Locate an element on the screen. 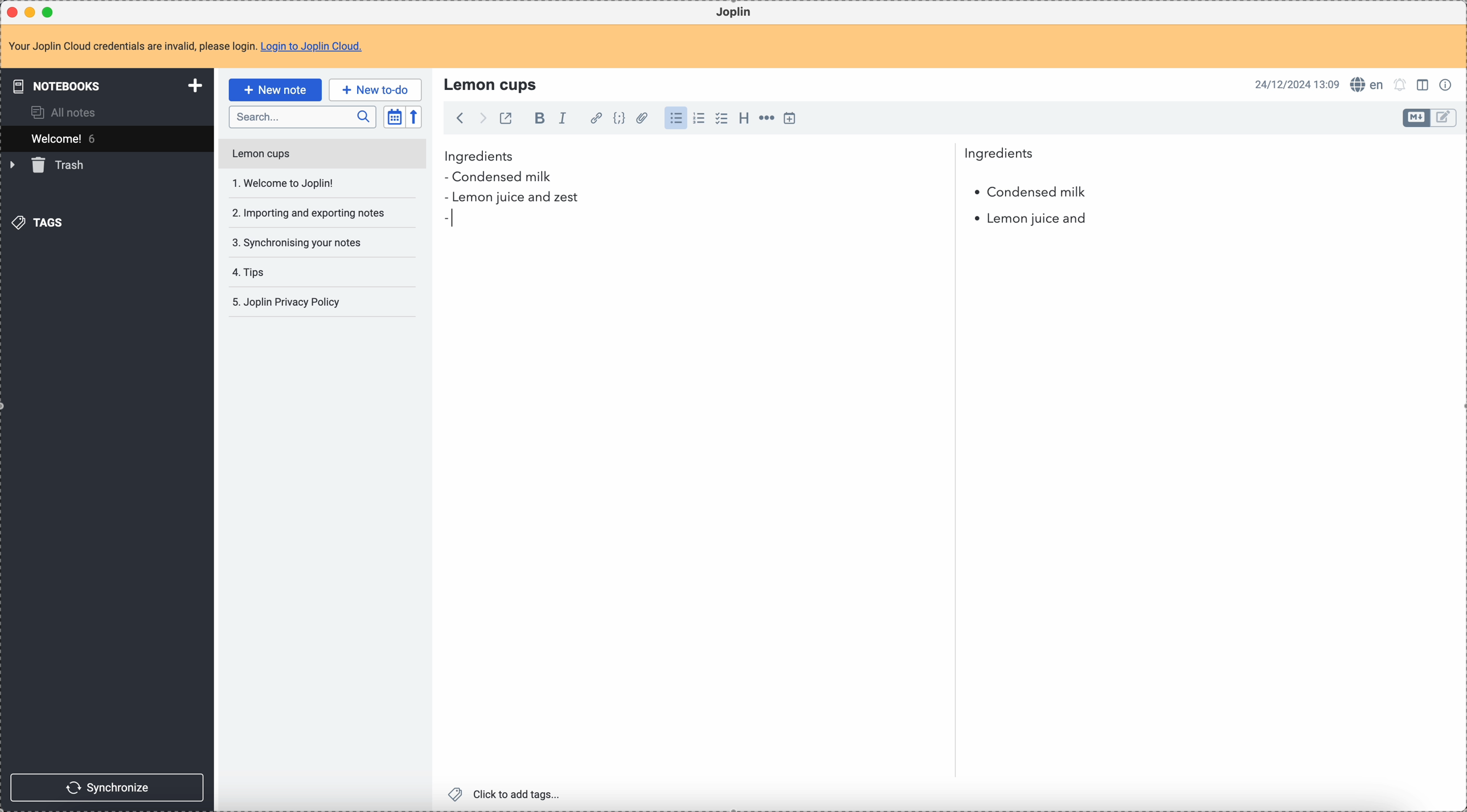  back is located at coordinates (460, 118).